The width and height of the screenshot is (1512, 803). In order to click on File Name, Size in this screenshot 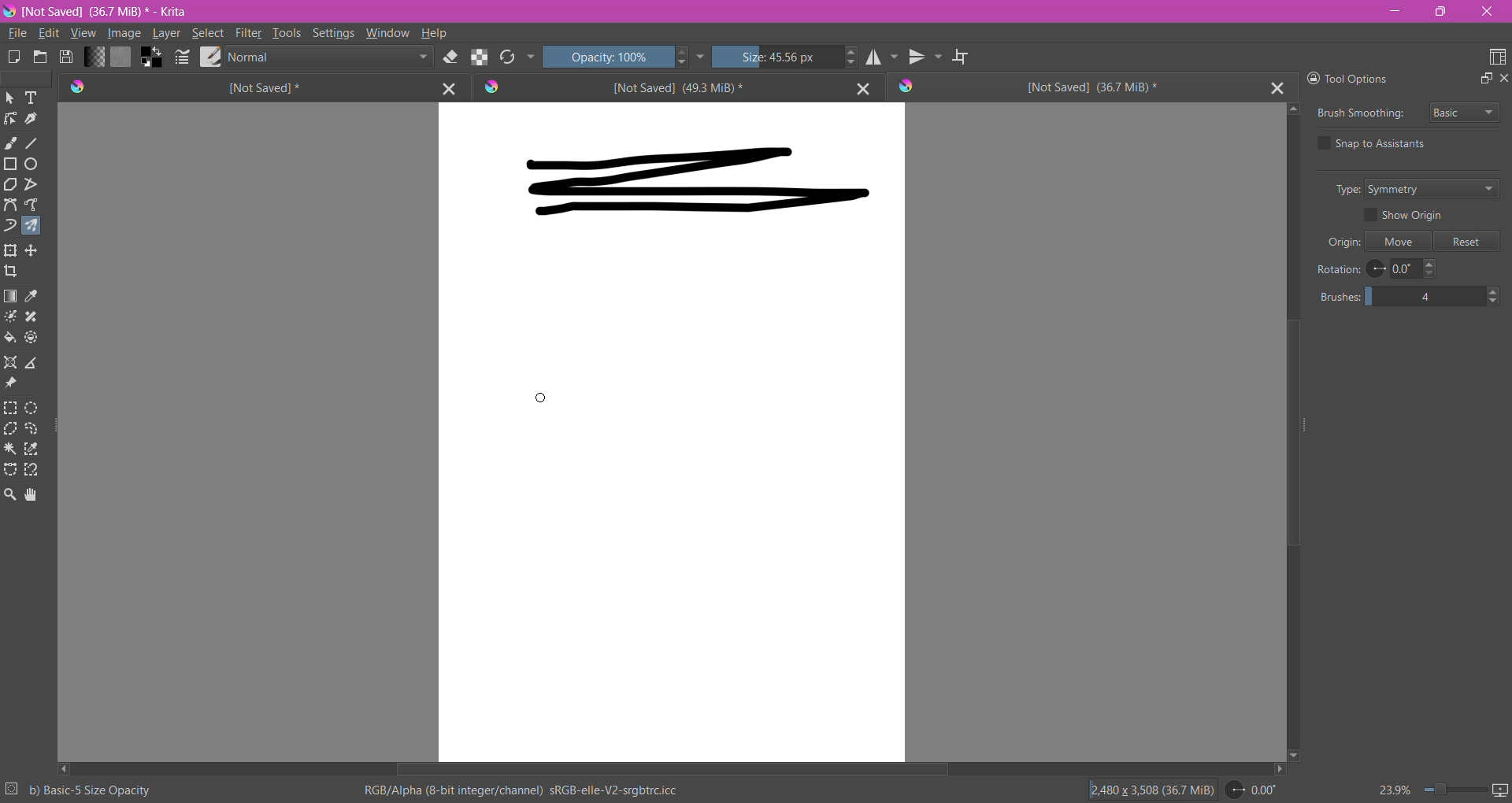, I will do `click(111, 12)`.